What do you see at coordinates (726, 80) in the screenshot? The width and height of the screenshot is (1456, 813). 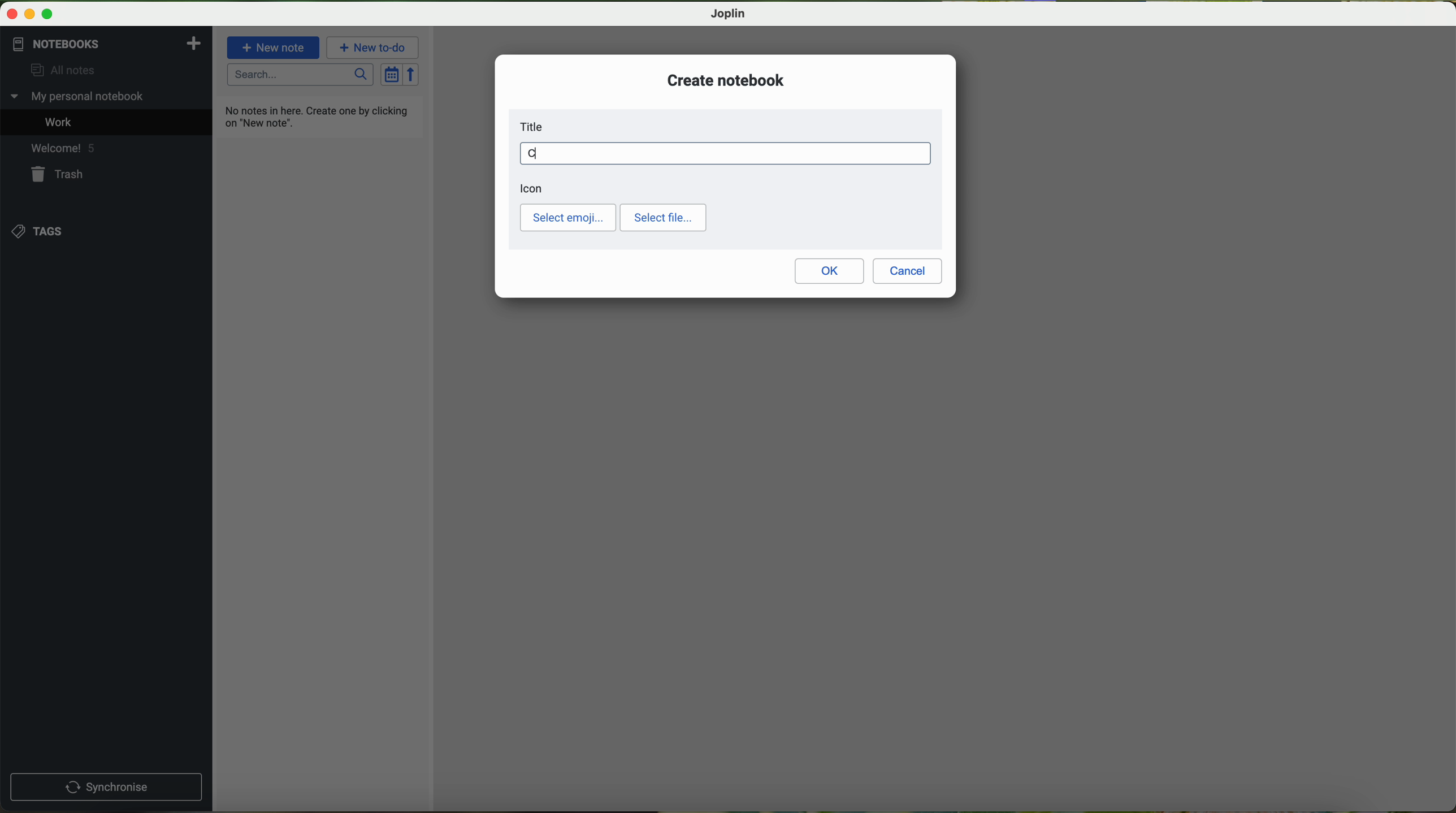 I see `create notebook` at bounding box center [726, 80].